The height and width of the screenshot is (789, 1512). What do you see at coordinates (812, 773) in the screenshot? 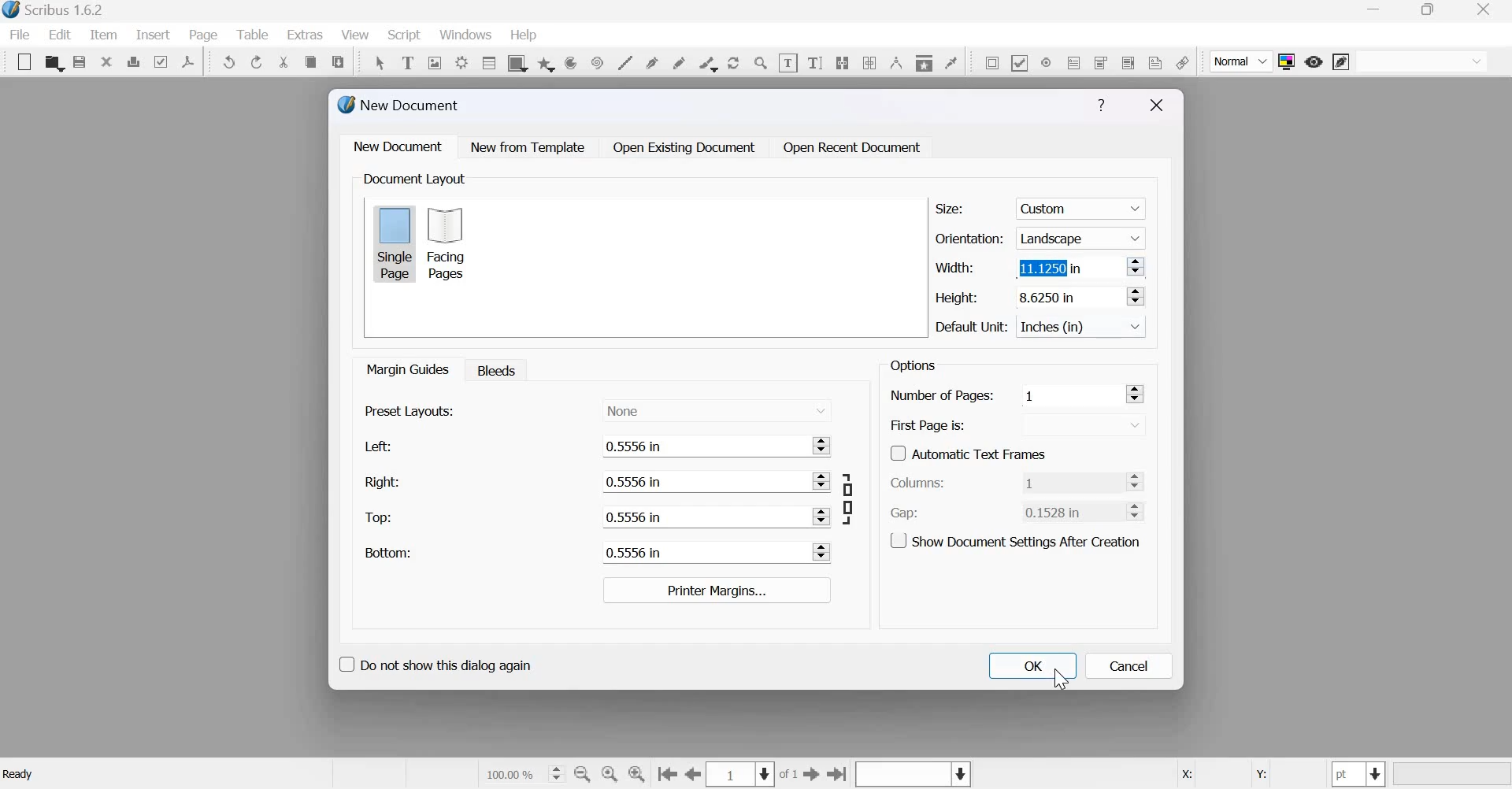
I see `go to the next page` at bounding box center [812, 773].